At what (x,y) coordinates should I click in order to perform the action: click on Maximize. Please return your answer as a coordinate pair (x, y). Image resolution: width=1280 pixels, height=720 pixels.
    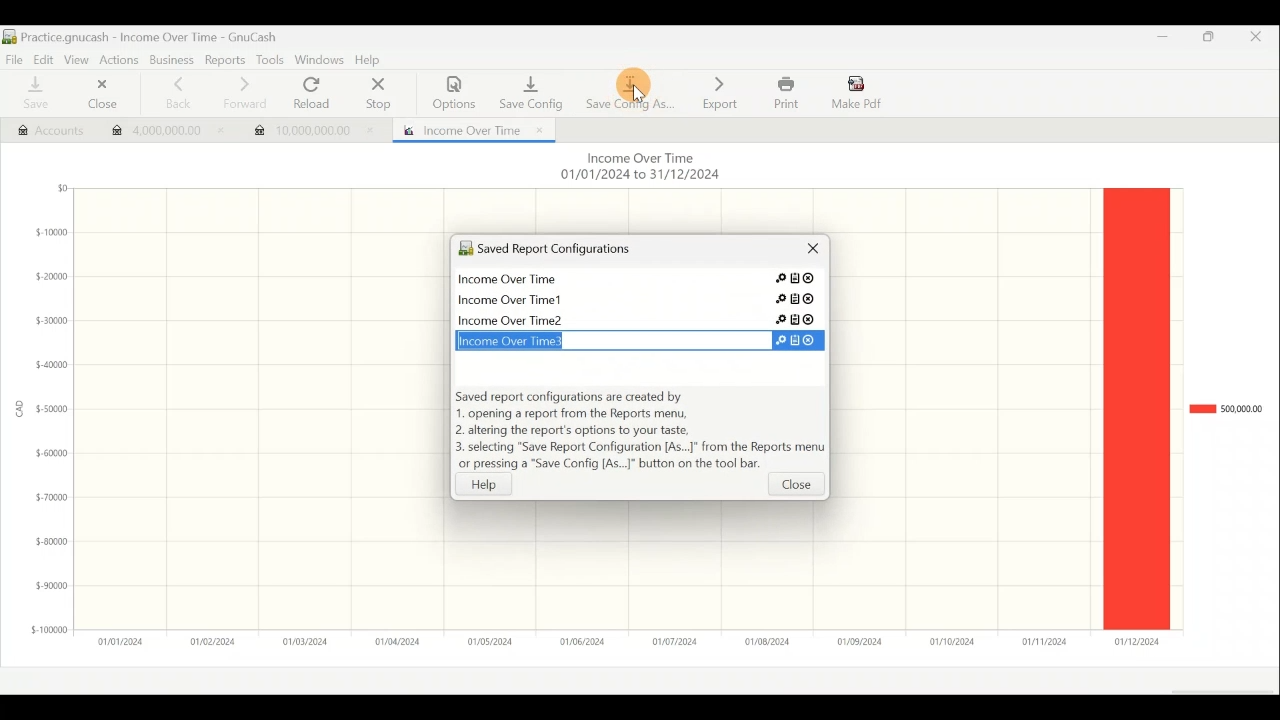
    Looking at the image, I should click on (1210, 40).